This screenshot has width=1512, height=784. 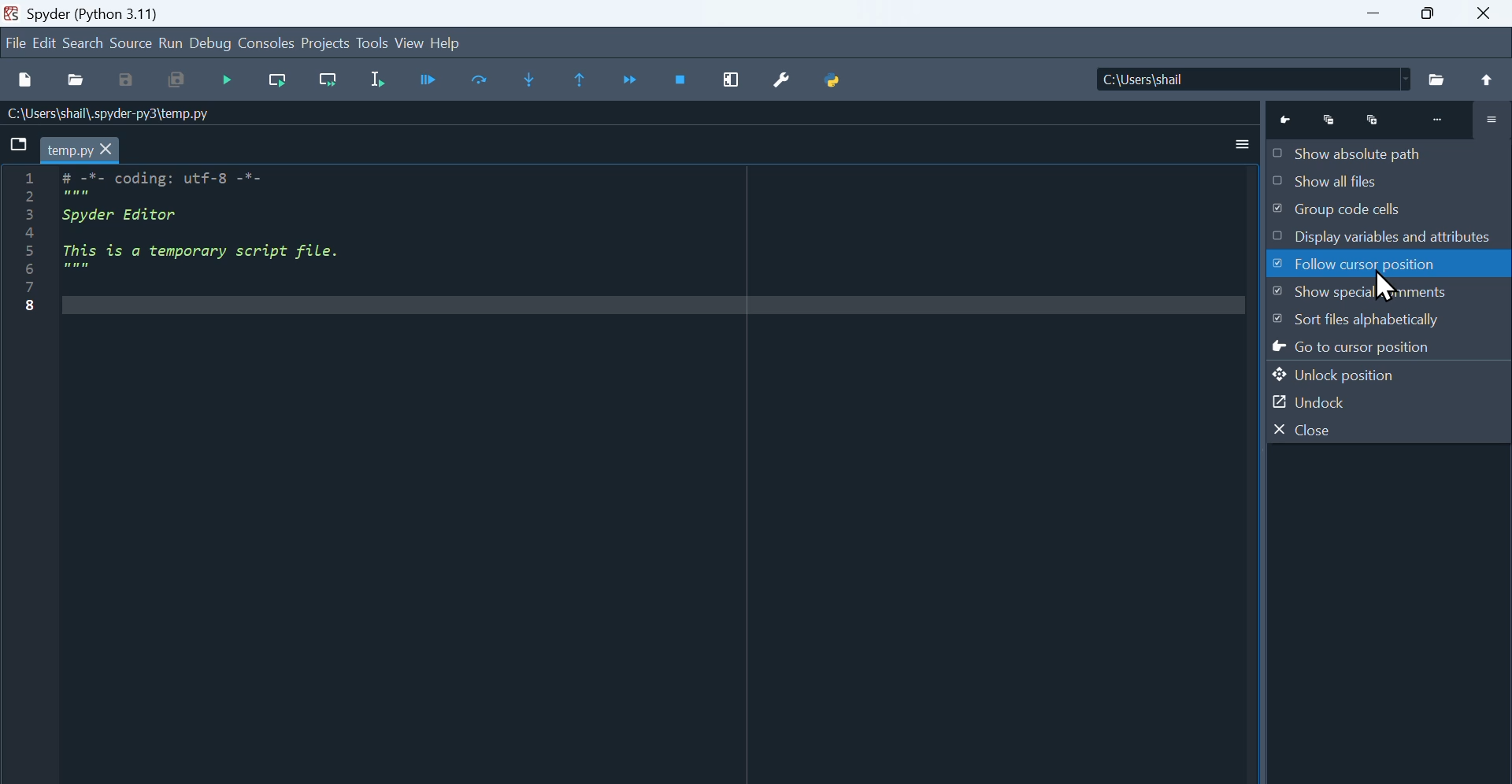 What do you see at coordinates (449, 43) in the screenshot?
I see `help` at bounding box center [449, 43].